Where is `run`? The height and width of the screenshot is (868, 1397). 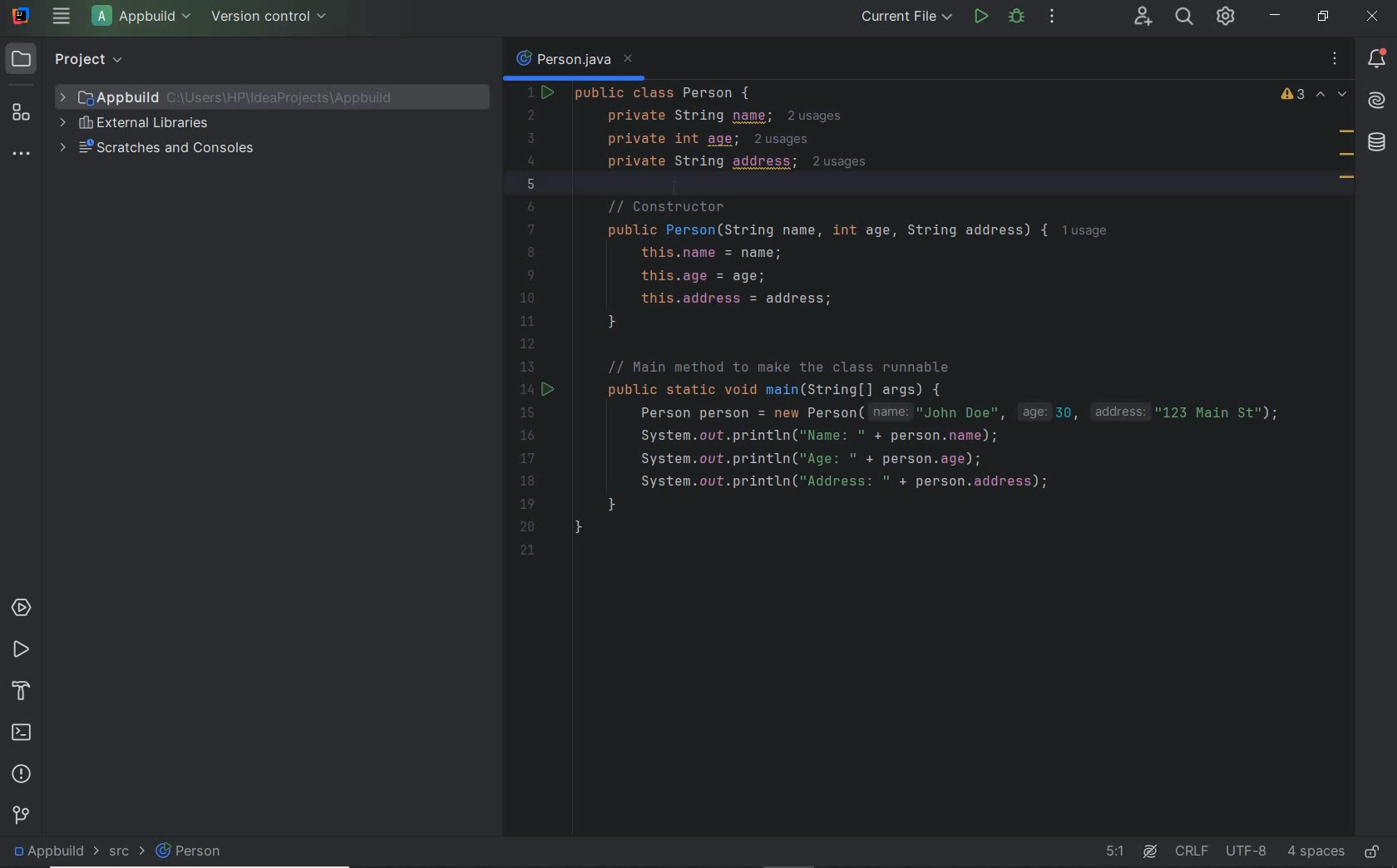 run is located at coordinates (19, 648).